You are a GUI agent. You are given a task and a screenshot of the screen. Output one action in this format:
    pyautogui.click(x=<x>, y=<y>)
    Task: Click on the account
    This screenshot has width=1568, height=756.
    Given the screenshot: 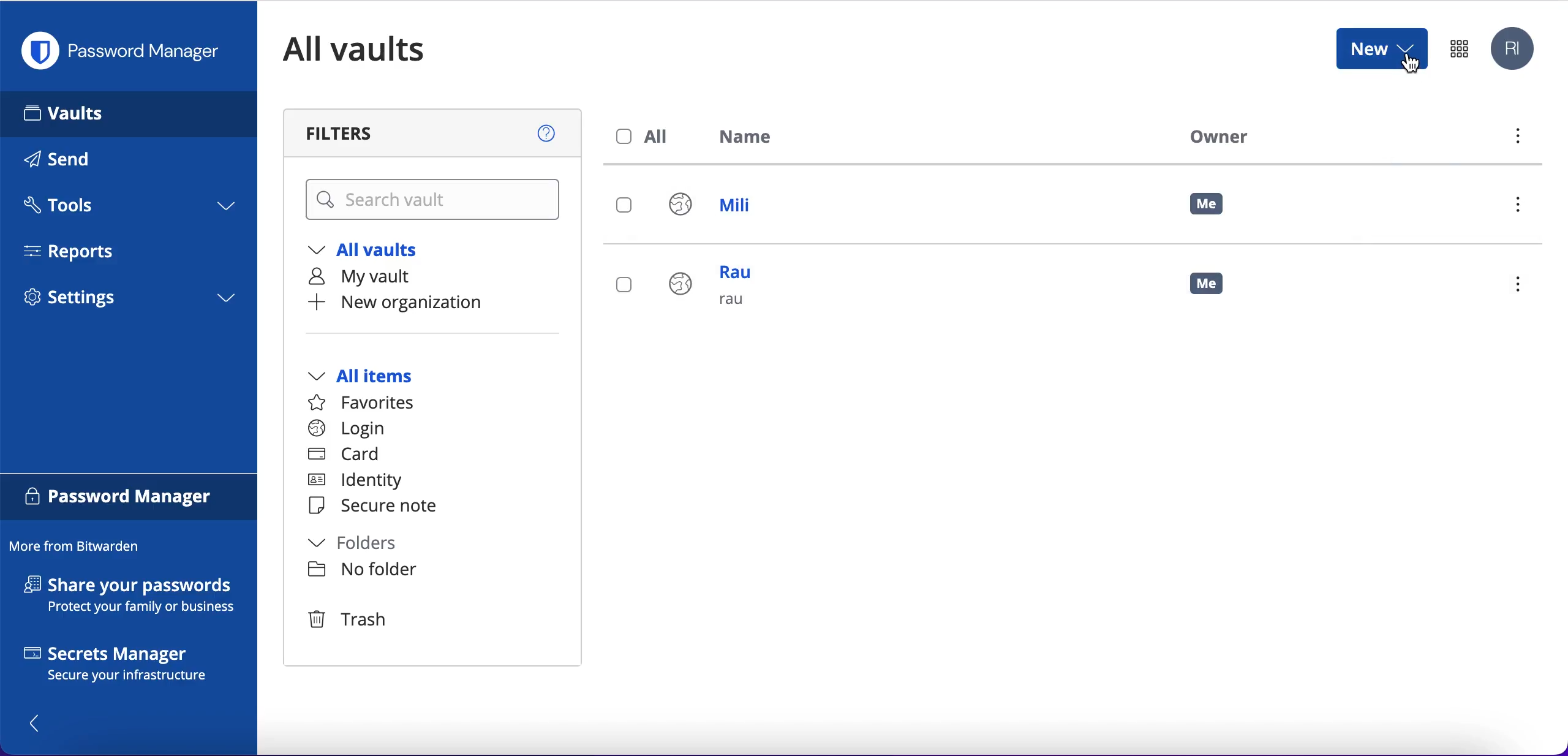 What is the action you would take?
    pyautogui.click(x=1515, y=50)
    